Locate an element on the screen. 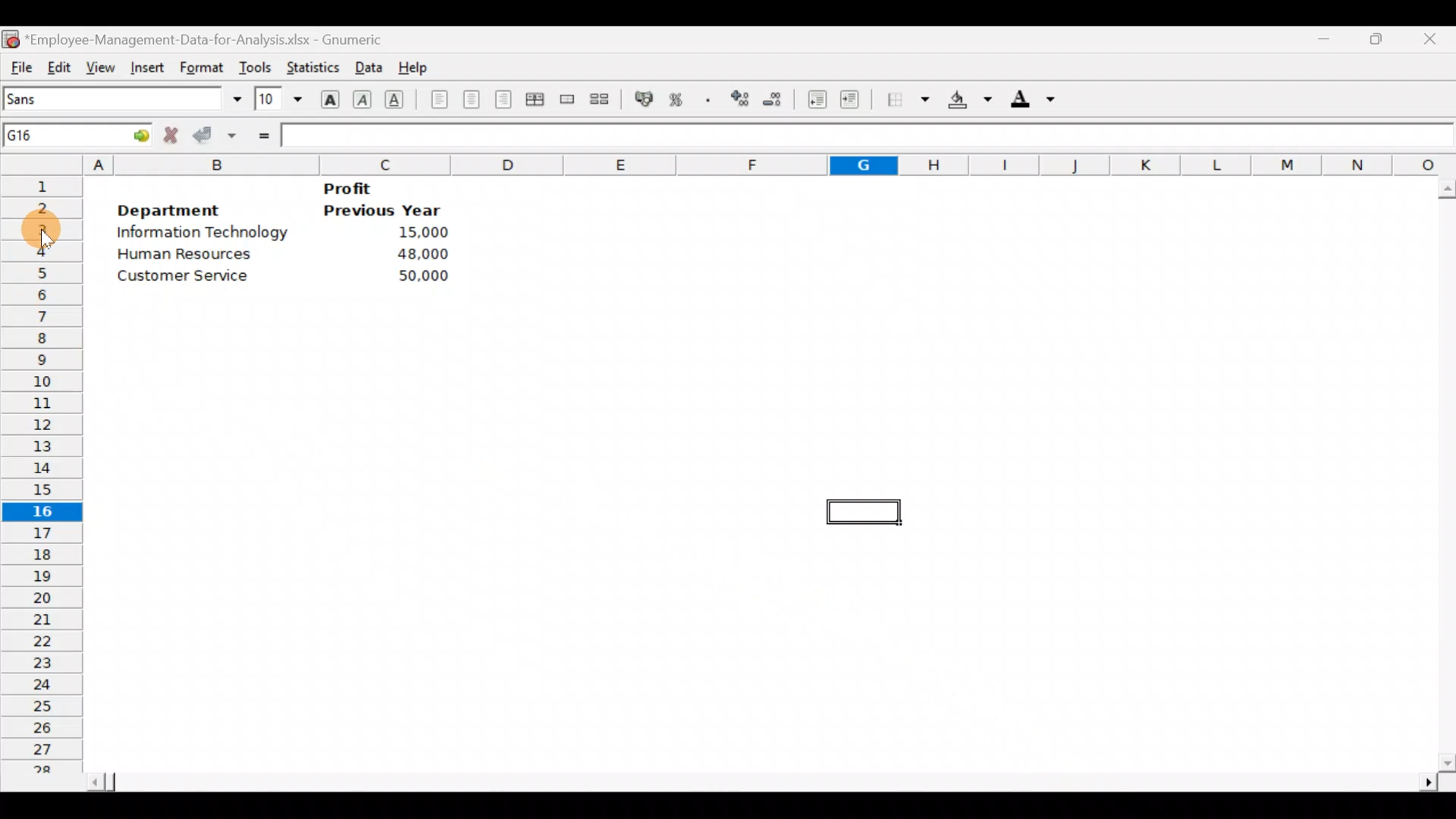 The image size is (1456, 819). Cursor is located at coordinates (39, 237).